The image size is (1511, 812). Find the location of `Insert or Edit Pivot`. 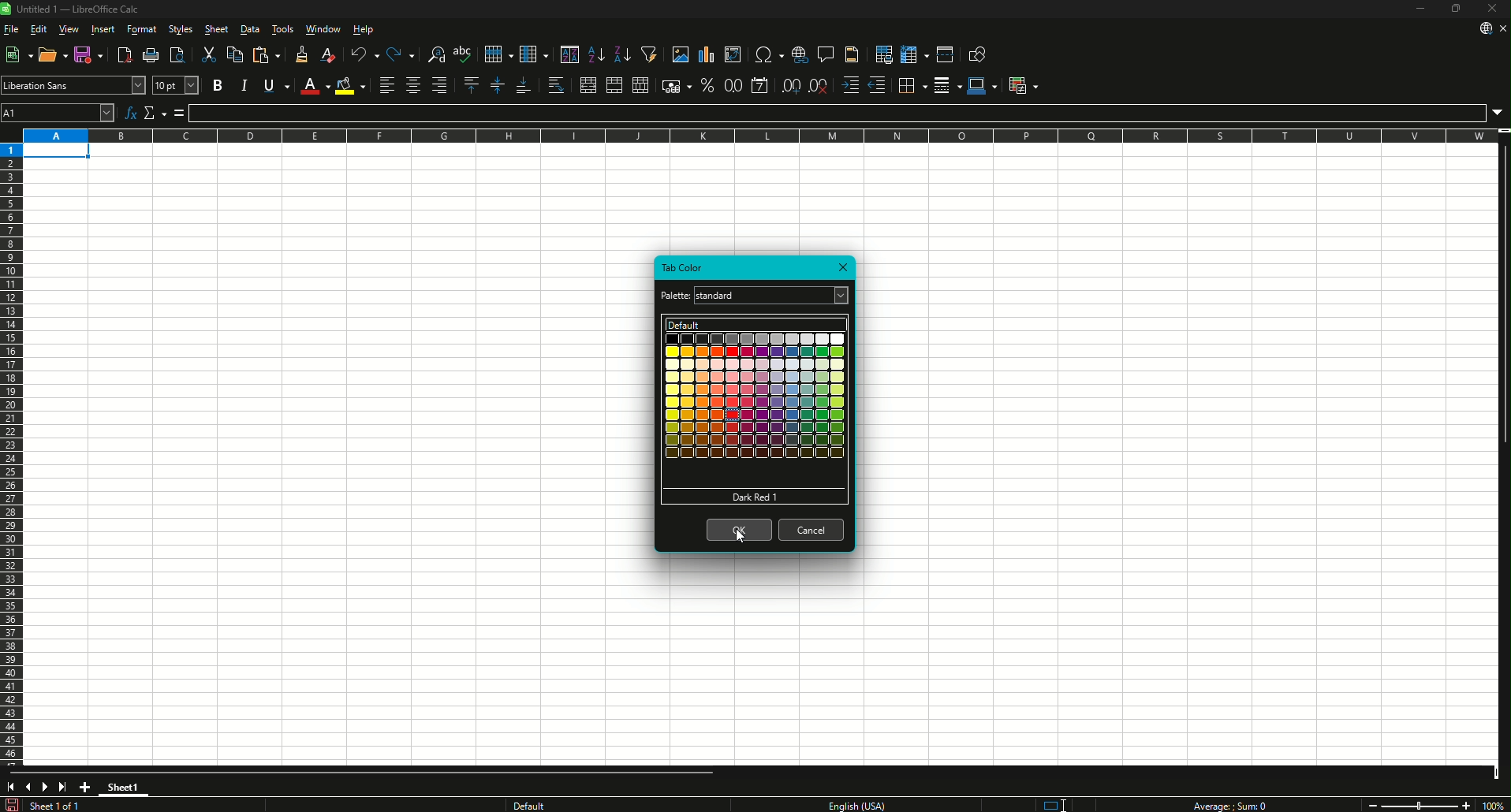

Insert or Edit Pivot is located at coordinates (733, 54).